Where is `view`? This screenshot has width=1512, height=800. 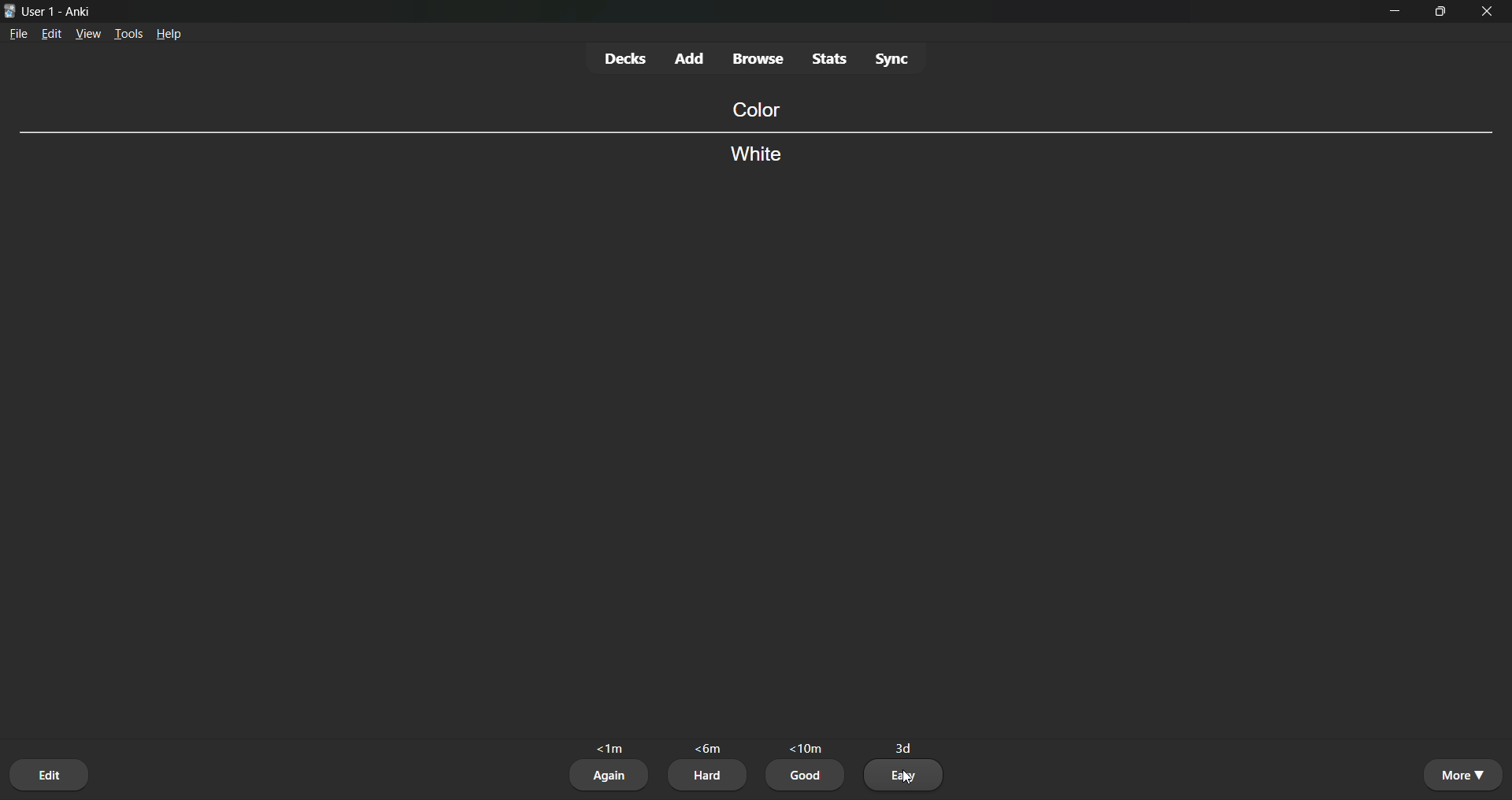
view is located at coordinates (88, 35).